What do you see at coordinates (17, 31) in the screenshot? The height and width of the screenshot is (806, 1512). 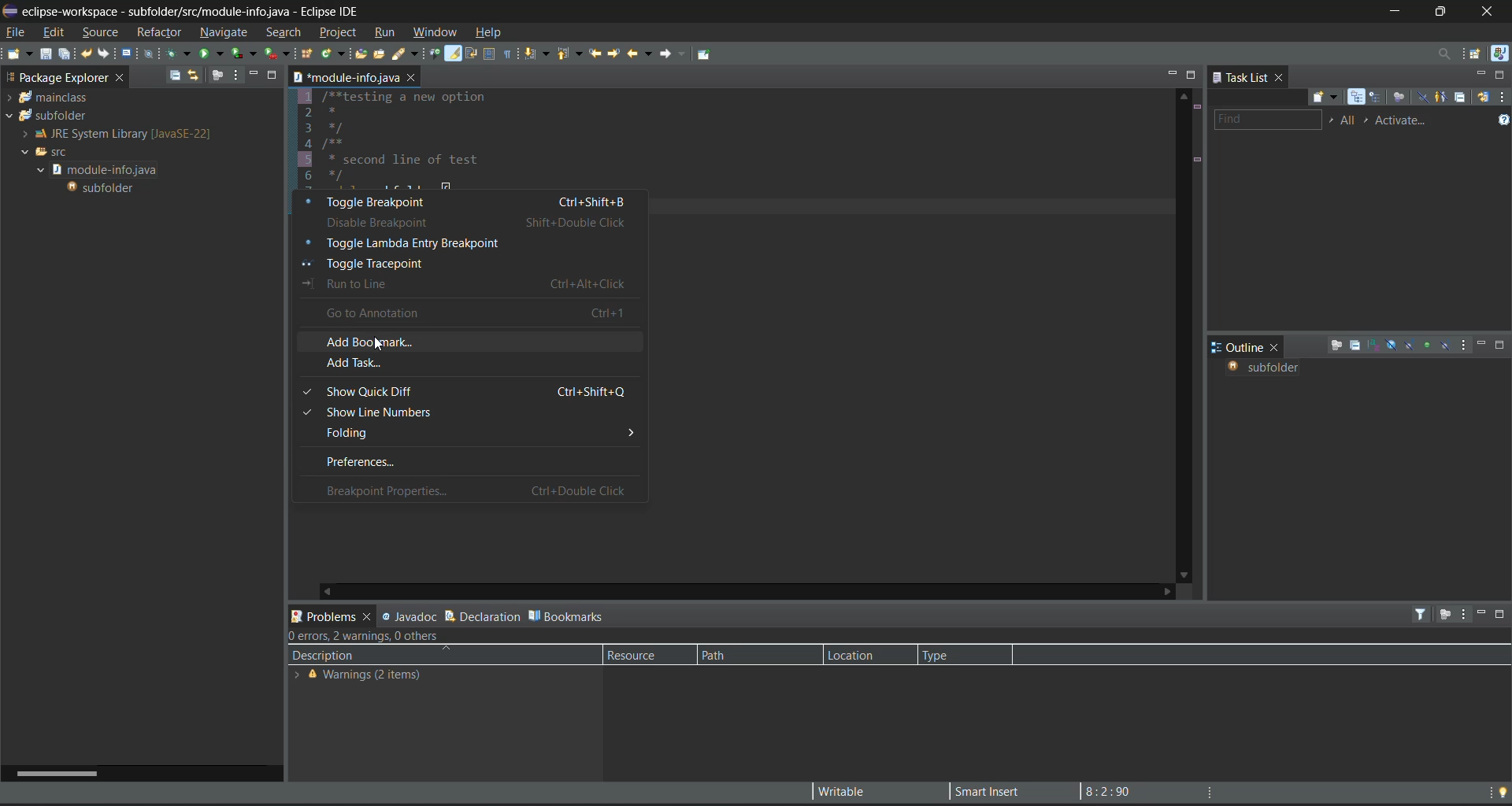 I see `file` at bounding box center [17, 31].